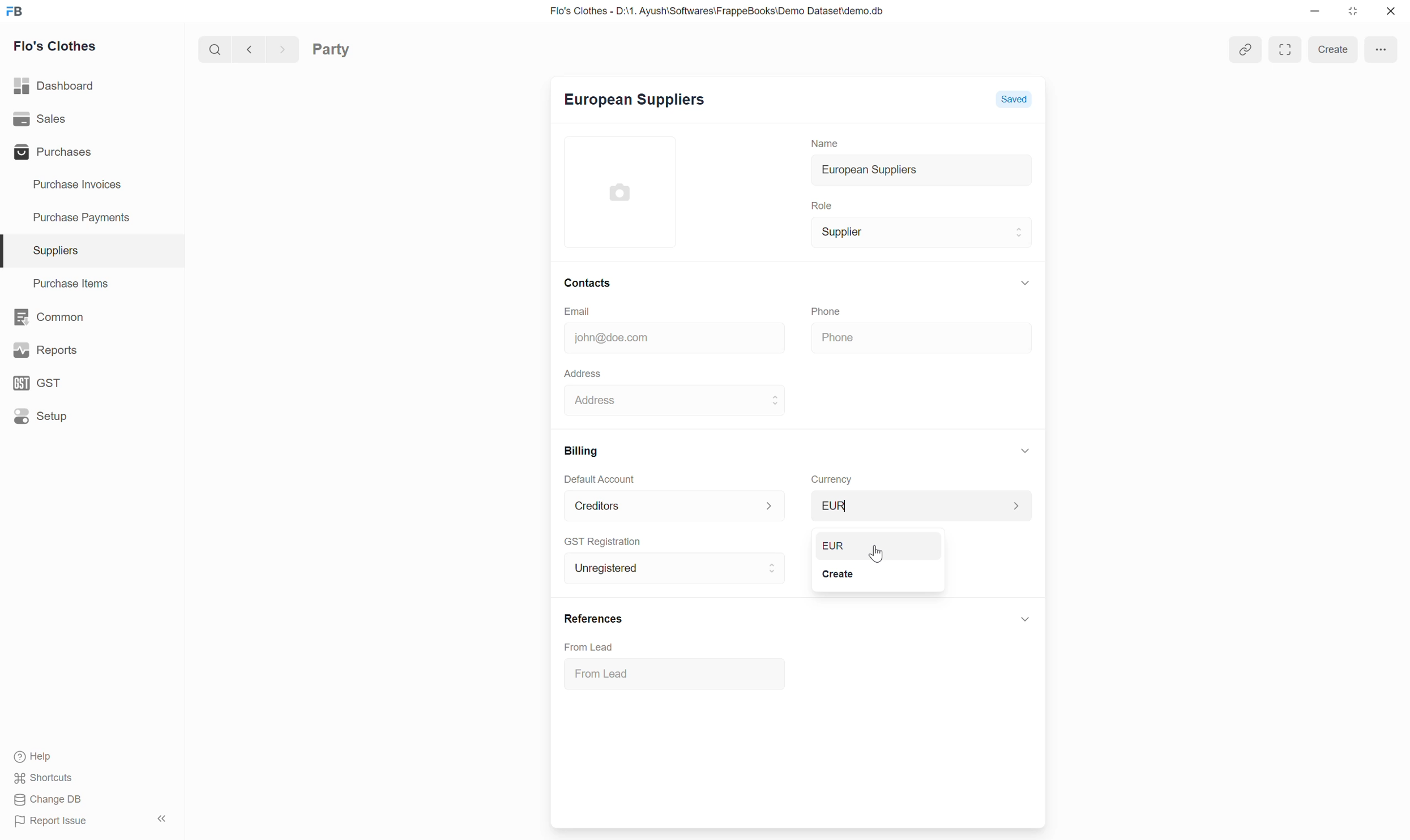 This screenshot has width=1410, height=840. I want to click on FB, so click(15, 11).